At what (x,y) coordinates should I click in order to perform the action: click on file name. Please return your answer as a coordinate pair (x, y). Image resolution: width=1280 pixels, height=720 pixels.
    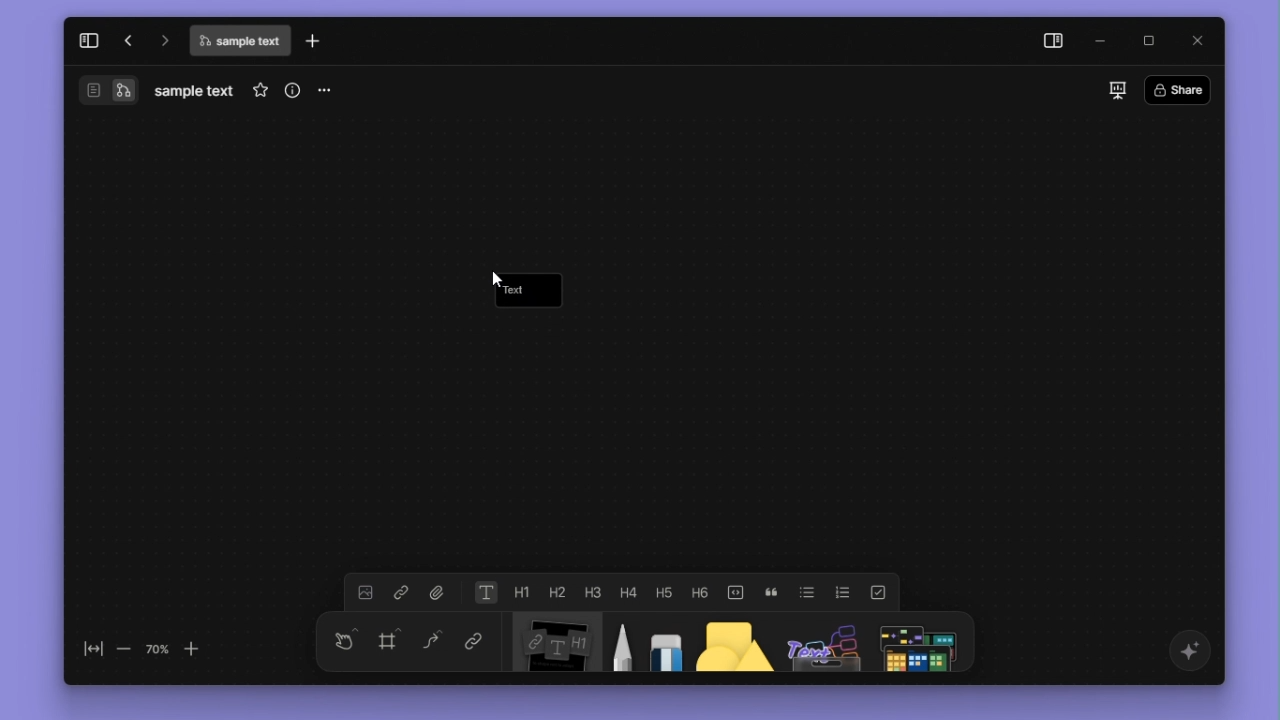
    Looking at the image, I should click on (194, 91).